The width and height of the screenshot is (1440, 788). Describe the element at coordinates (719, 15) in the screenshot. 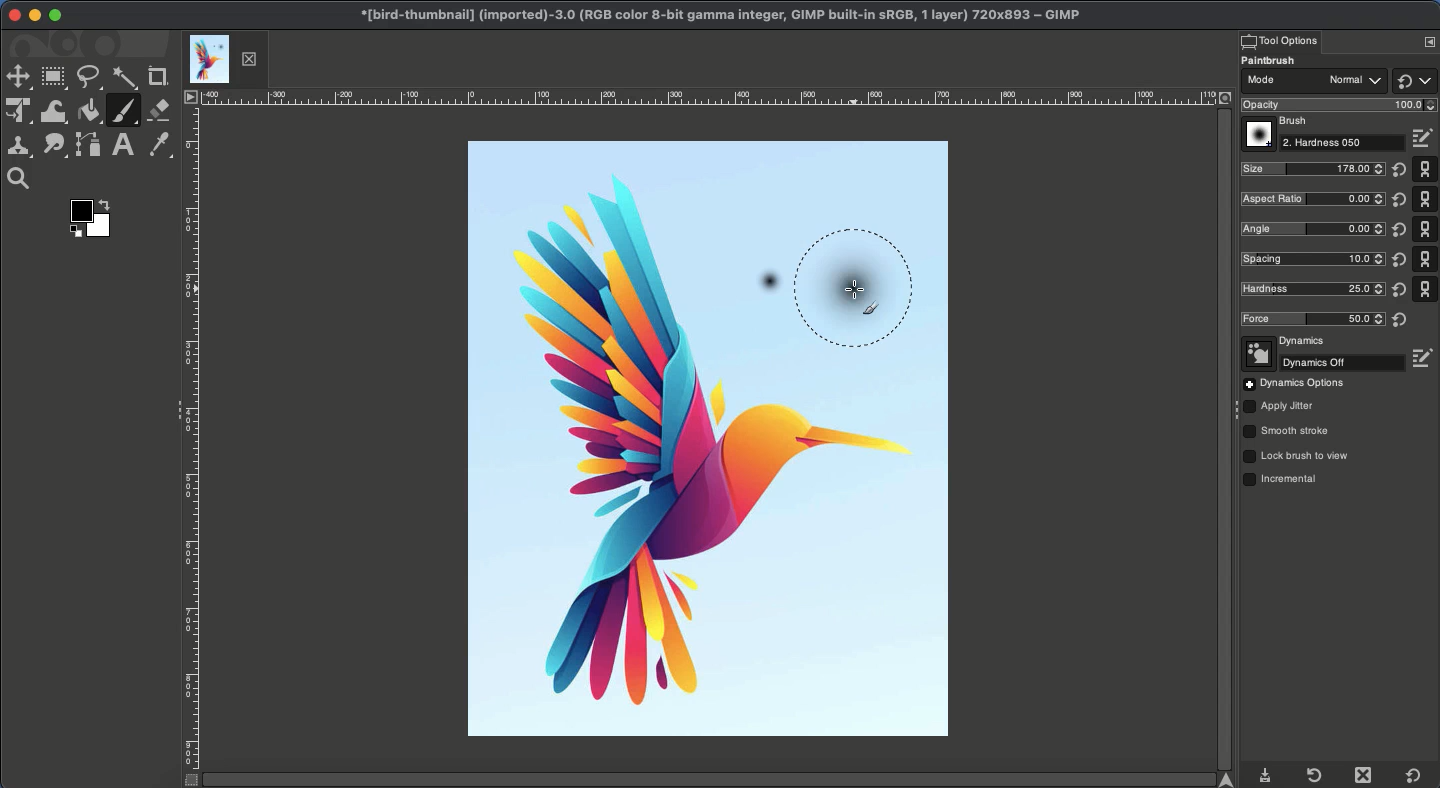

I see `GIMP project` at that location.